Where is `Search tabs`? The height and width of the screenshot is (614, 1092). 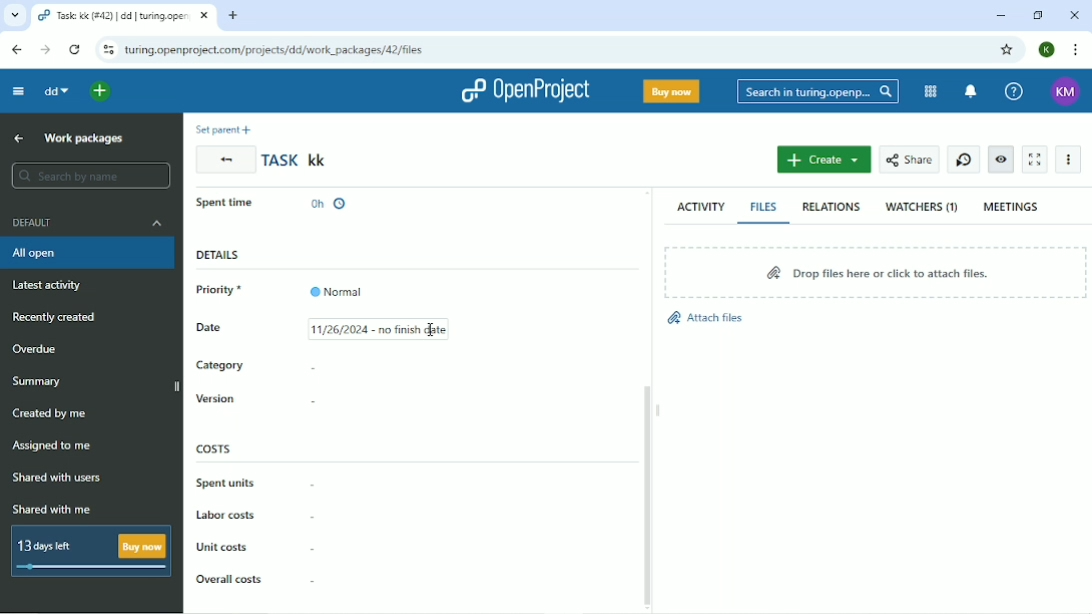
Search tabs is located at coordinates (14, 15).